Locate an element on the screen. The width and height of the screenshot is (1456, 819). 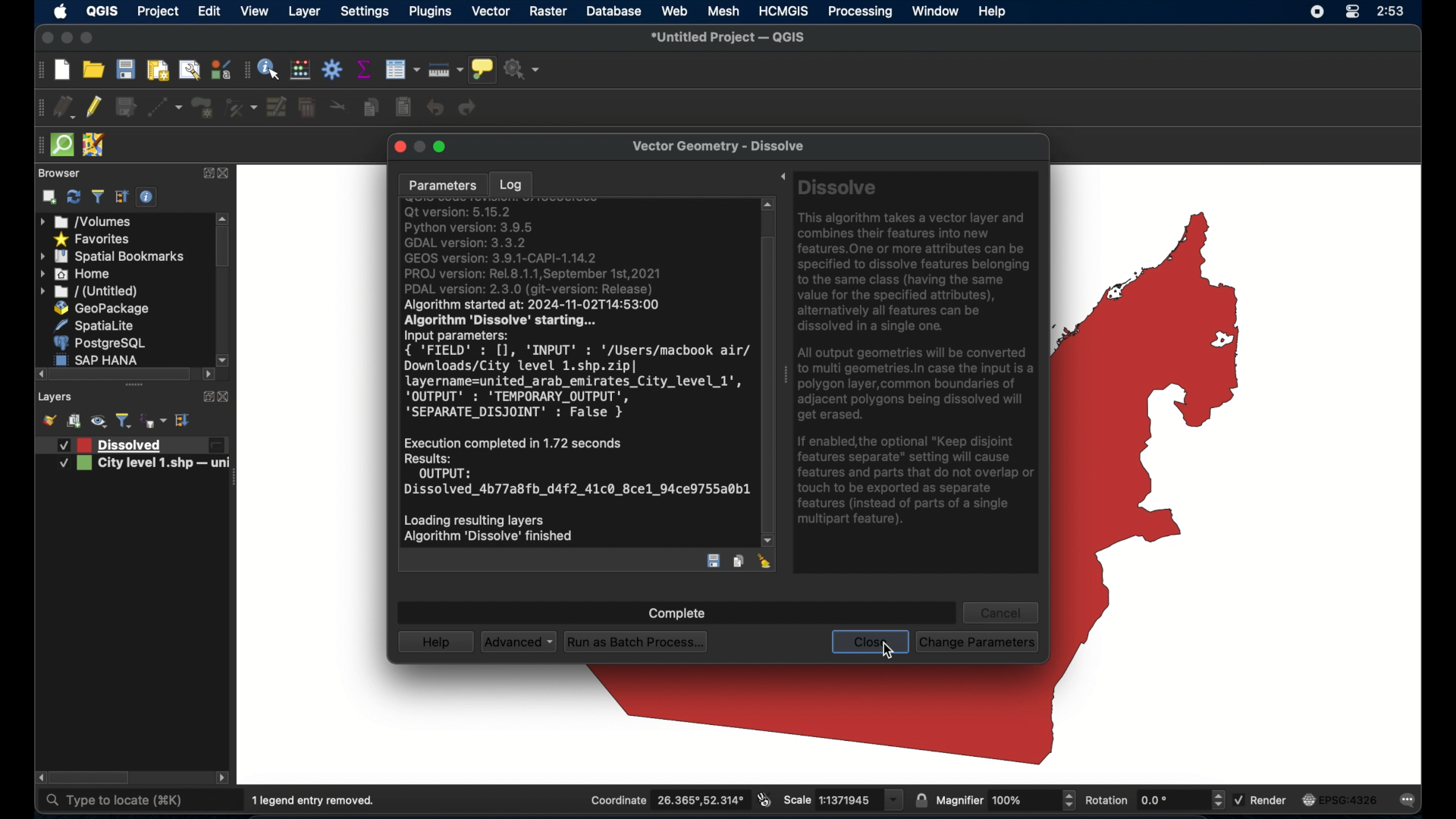
copy features is located at coordinates (739, 562).